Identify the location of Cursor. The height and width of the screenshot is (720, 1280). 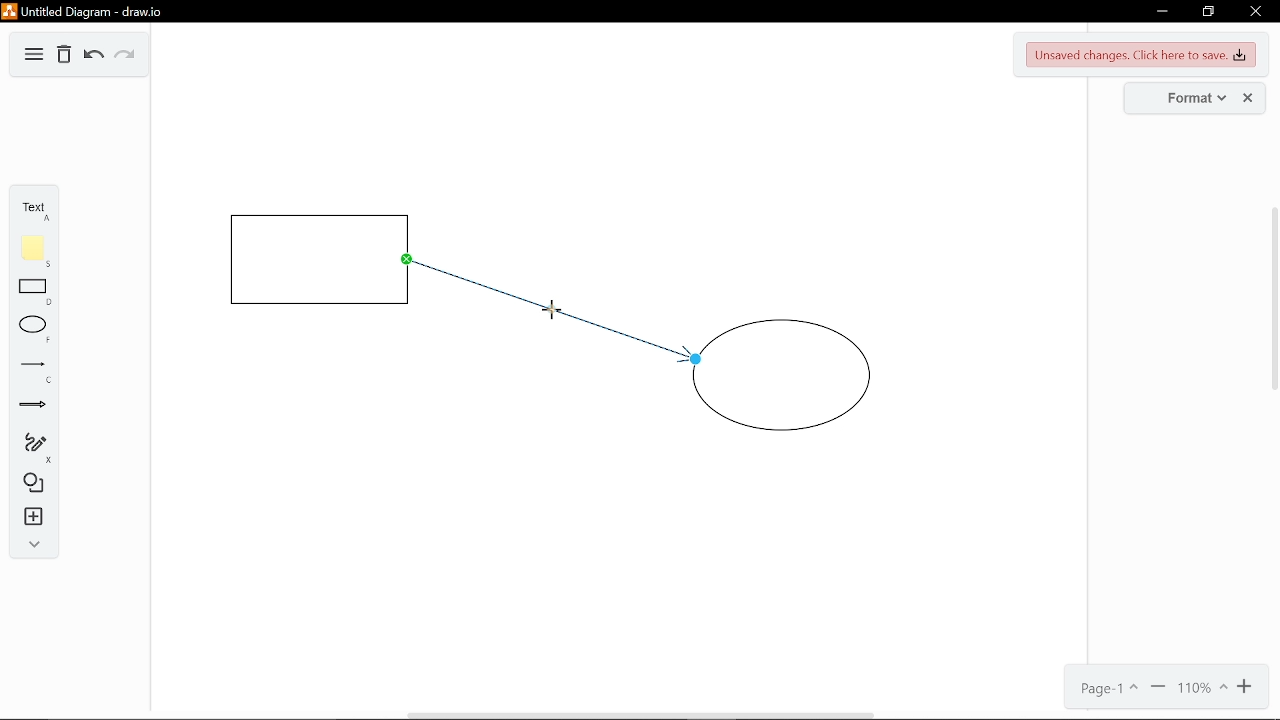
(549, 310).